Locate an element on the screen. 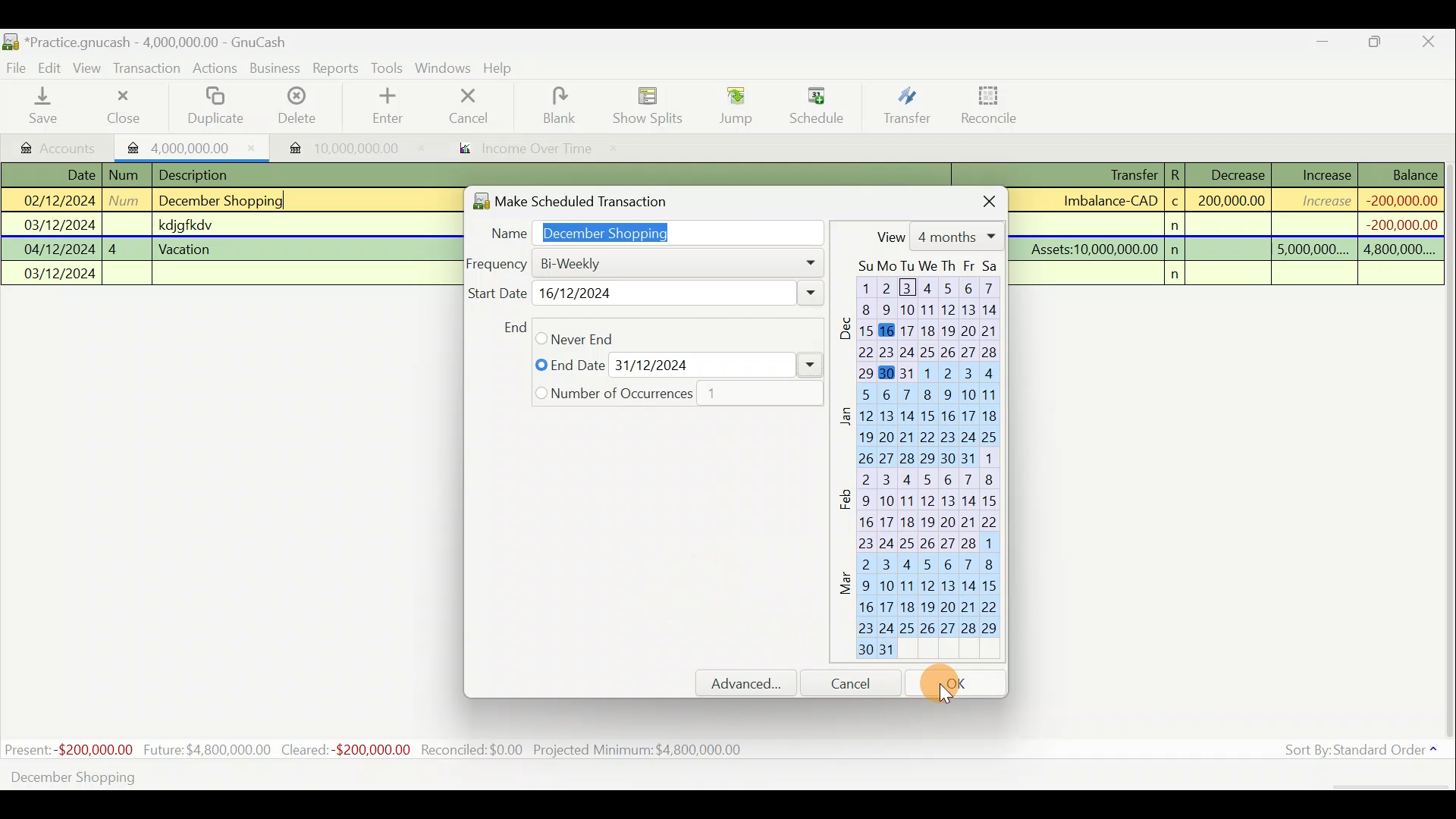 The height and width of the screenshot is (819, 1456). Advanced is located at coordinates (753, 683).